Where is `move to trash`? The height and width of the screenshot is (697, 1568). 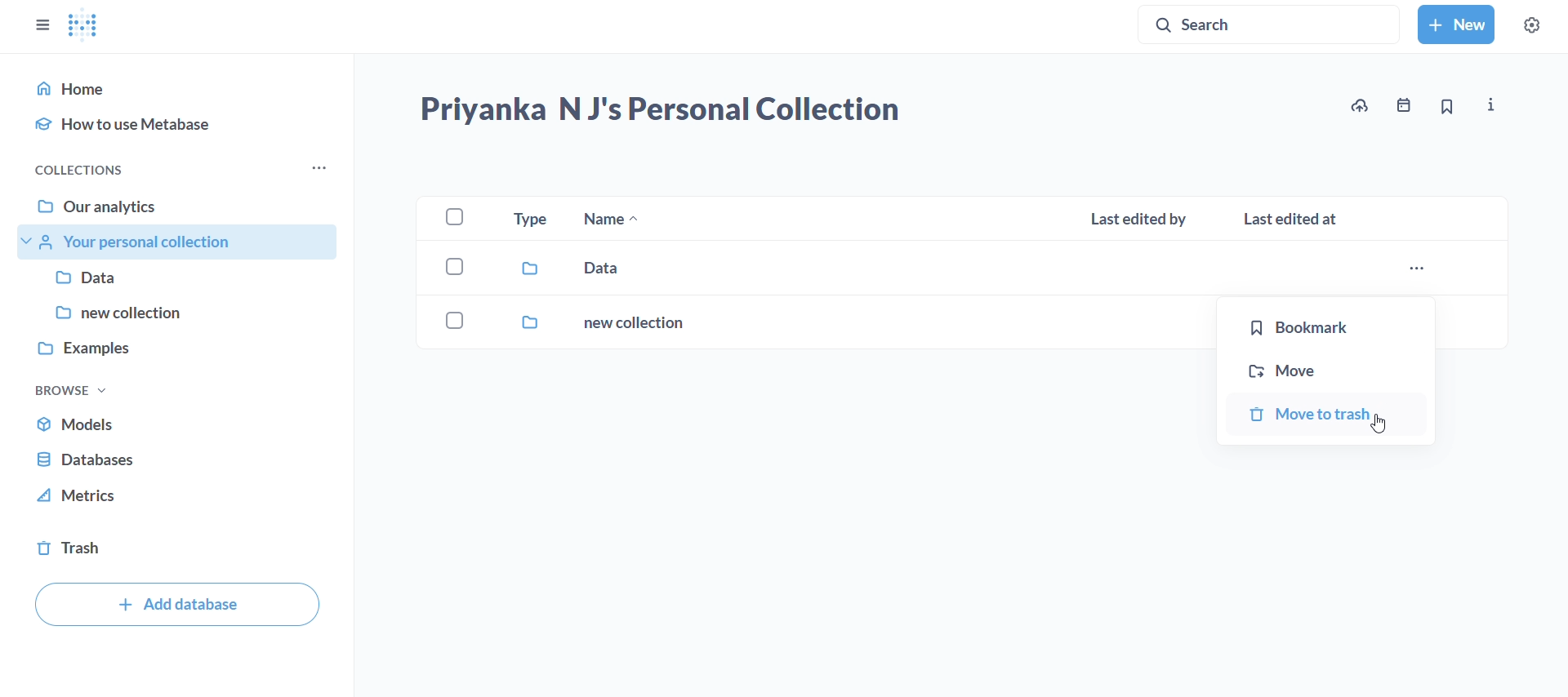
move to trash is located at coordinates (1324, 420).